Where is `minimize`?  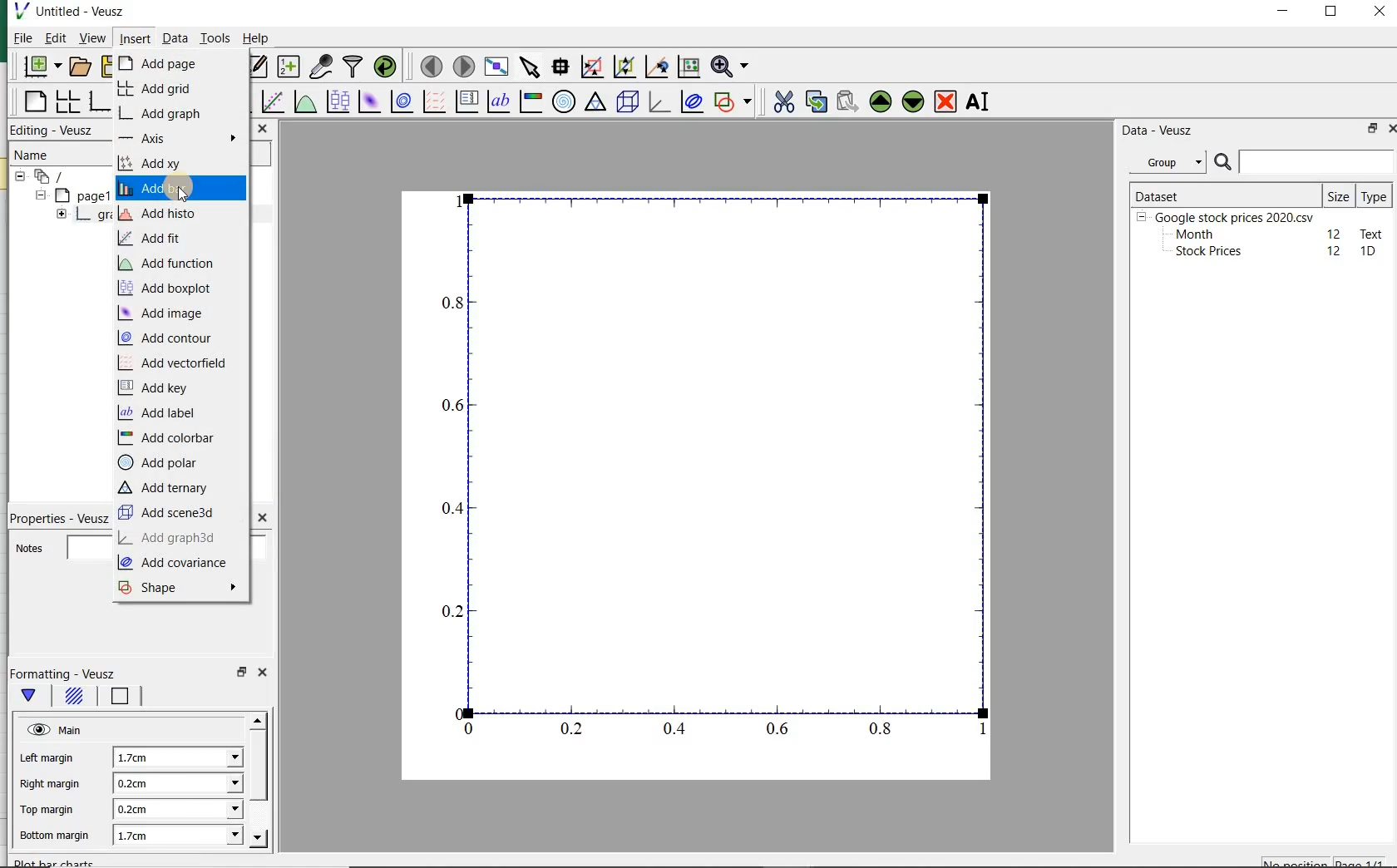
minimize is located at coordinates (1284, 12).